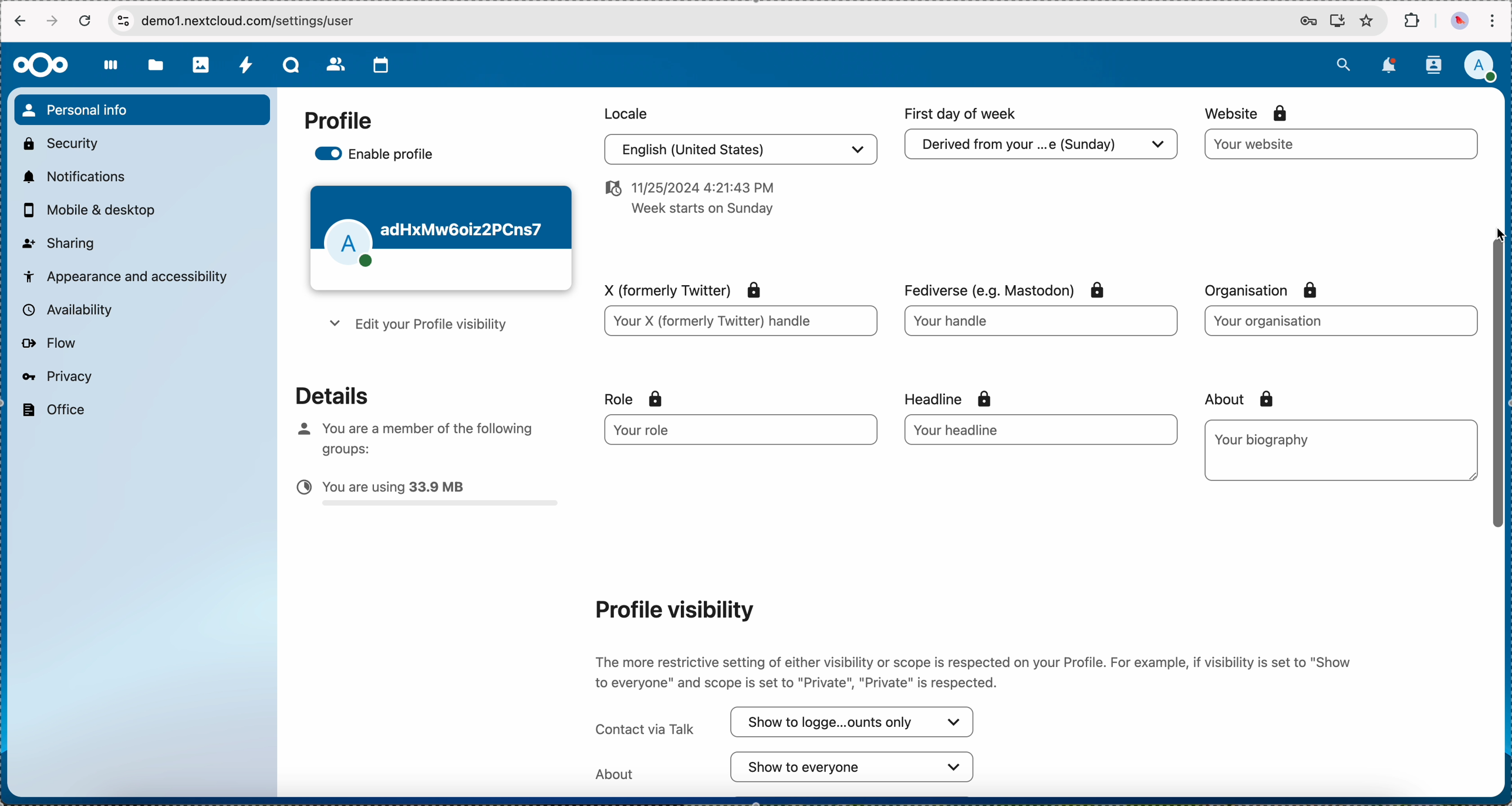 The width and height of the screenshot is (1512, 806). What do you see at coordinates (382, 65) in the screenshot?
I see `calendar` at bounding box center [382, 65].